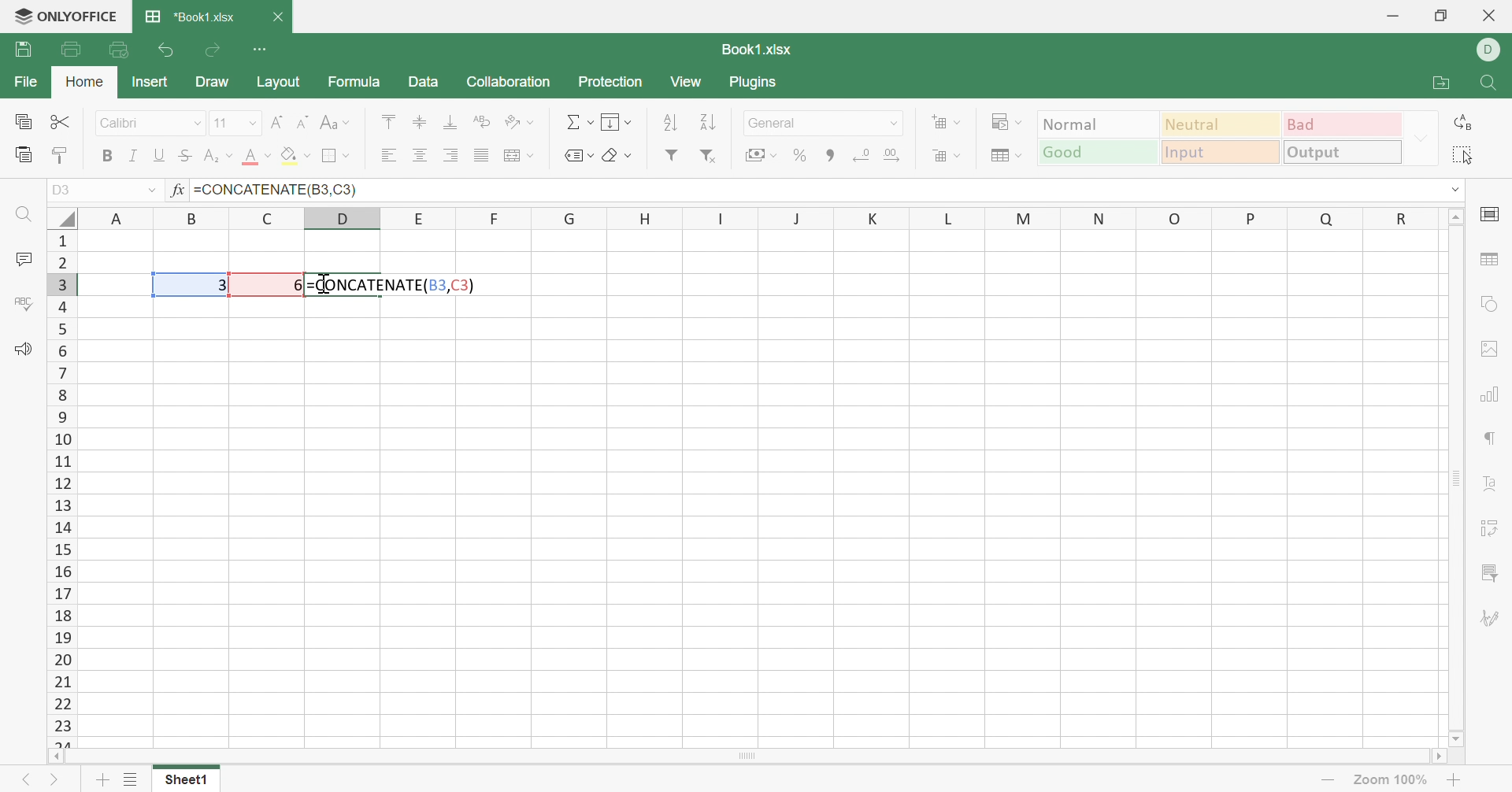 This screenshot has width=1512, height=792. Describe the element at coordinates (235, 121) in the screenshot. I see `Font size` at that location.